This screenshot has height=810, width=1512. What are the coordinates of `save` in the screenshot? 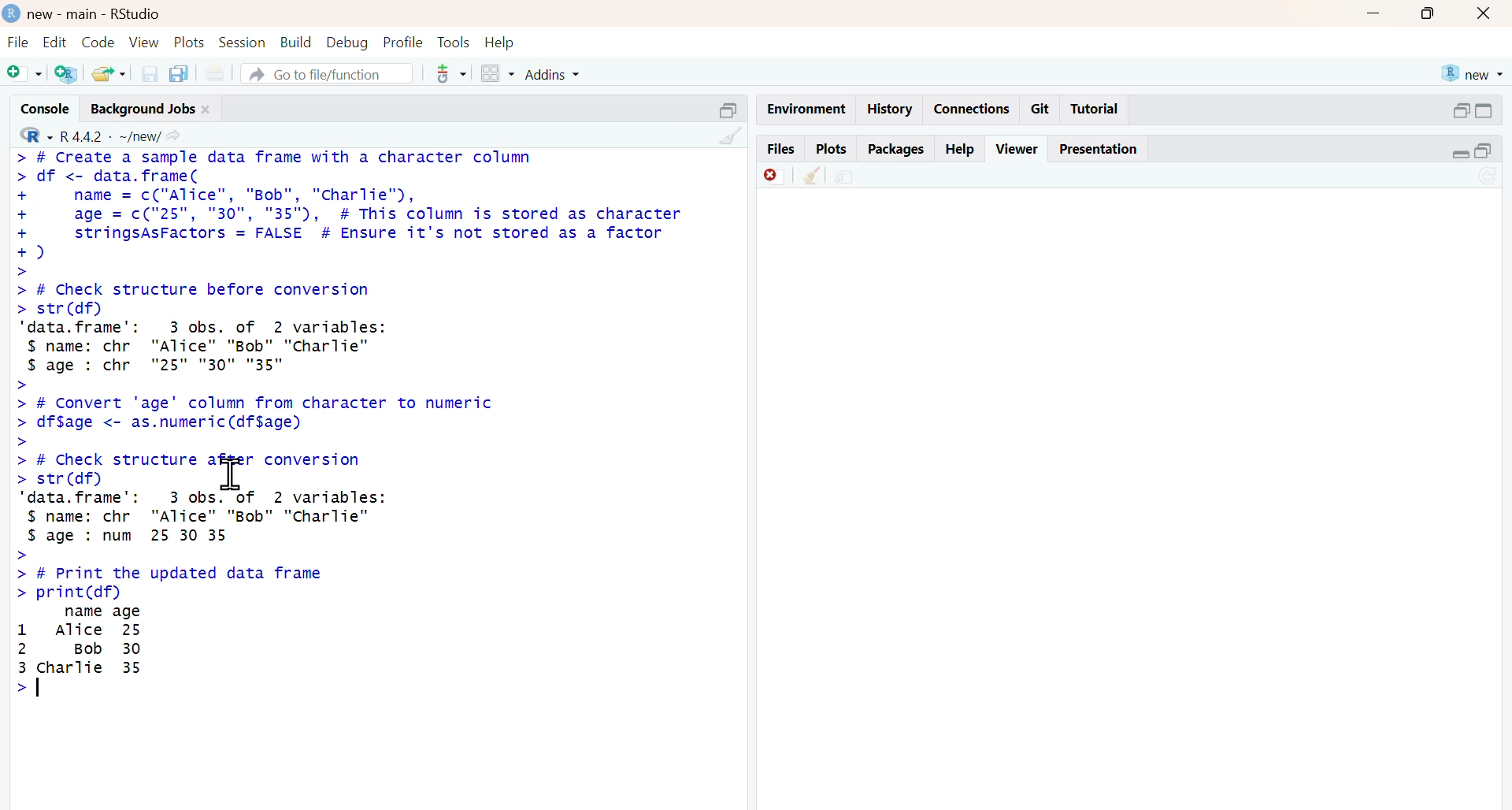 It's located at (150, 74).